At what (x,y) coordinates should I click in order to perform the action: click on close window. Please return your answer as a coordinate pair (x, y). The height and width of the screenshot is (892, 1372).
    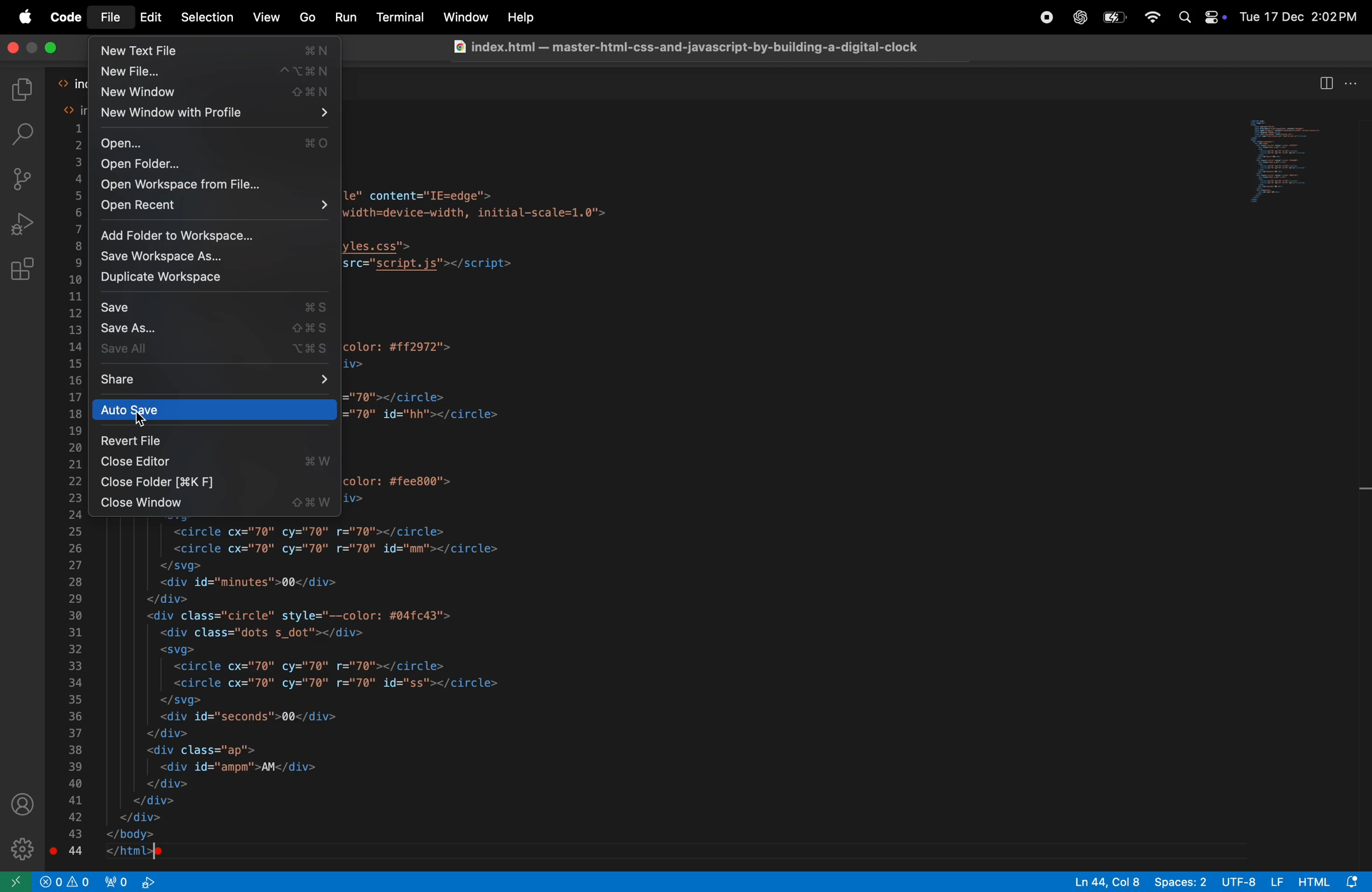
    Looking at the image, I should click on (218, 504).